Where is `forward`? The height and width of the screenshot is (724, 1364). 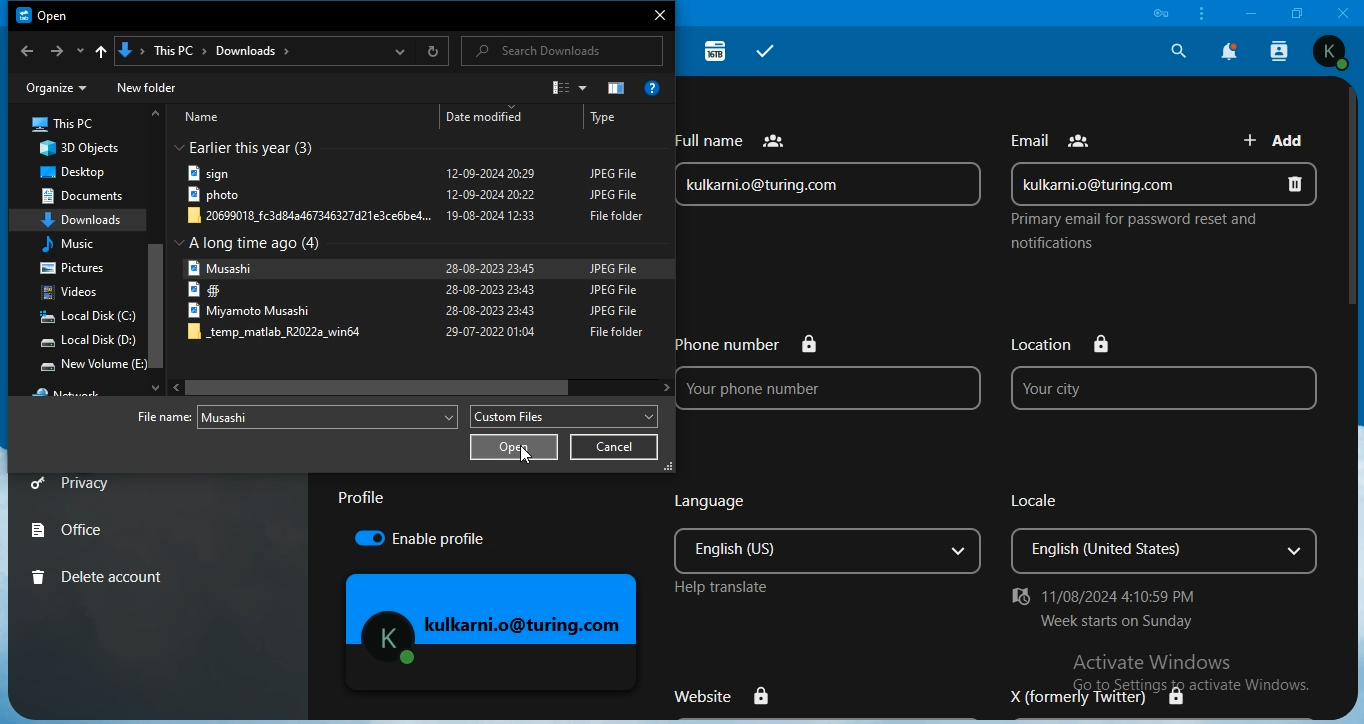 forward is located at coordinates (55, 52).